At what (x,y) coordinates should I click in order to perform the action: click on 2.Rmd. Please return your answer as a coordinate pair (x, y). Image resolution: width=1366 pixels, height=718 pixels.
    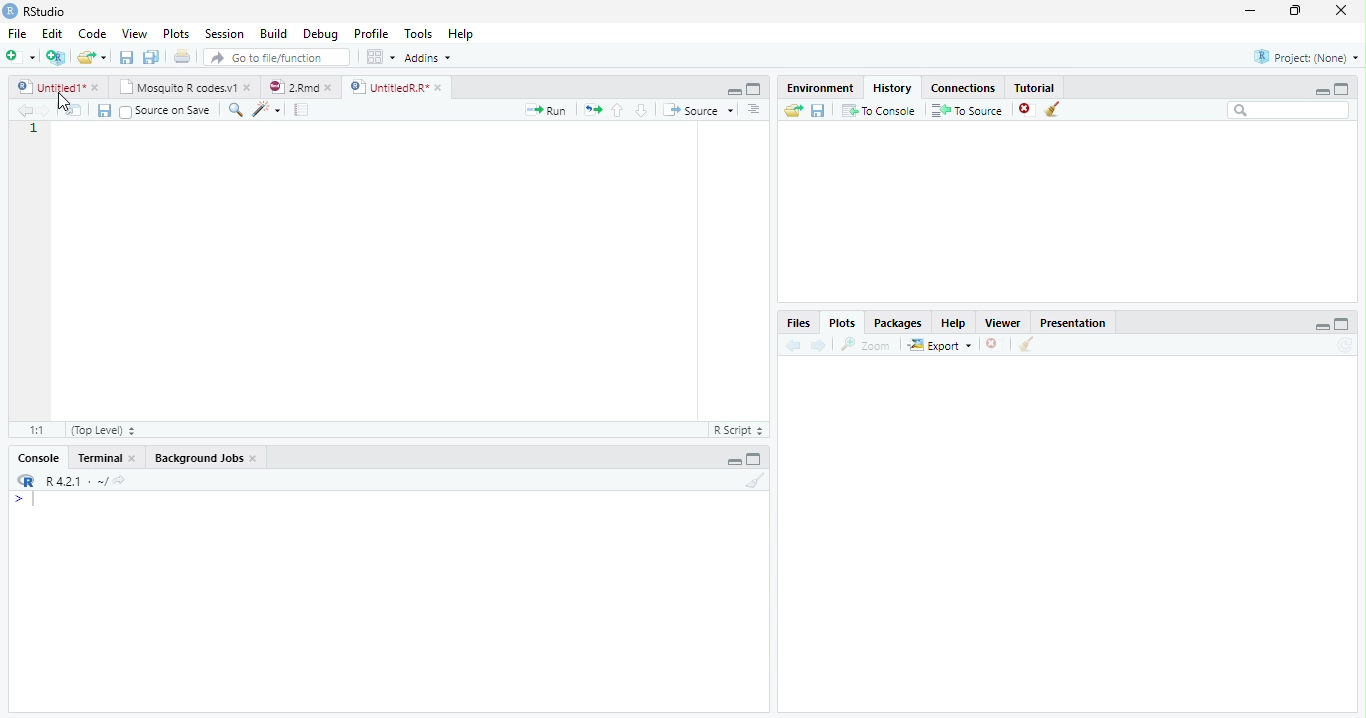
    Looking at the image, I should click on (291, 87).